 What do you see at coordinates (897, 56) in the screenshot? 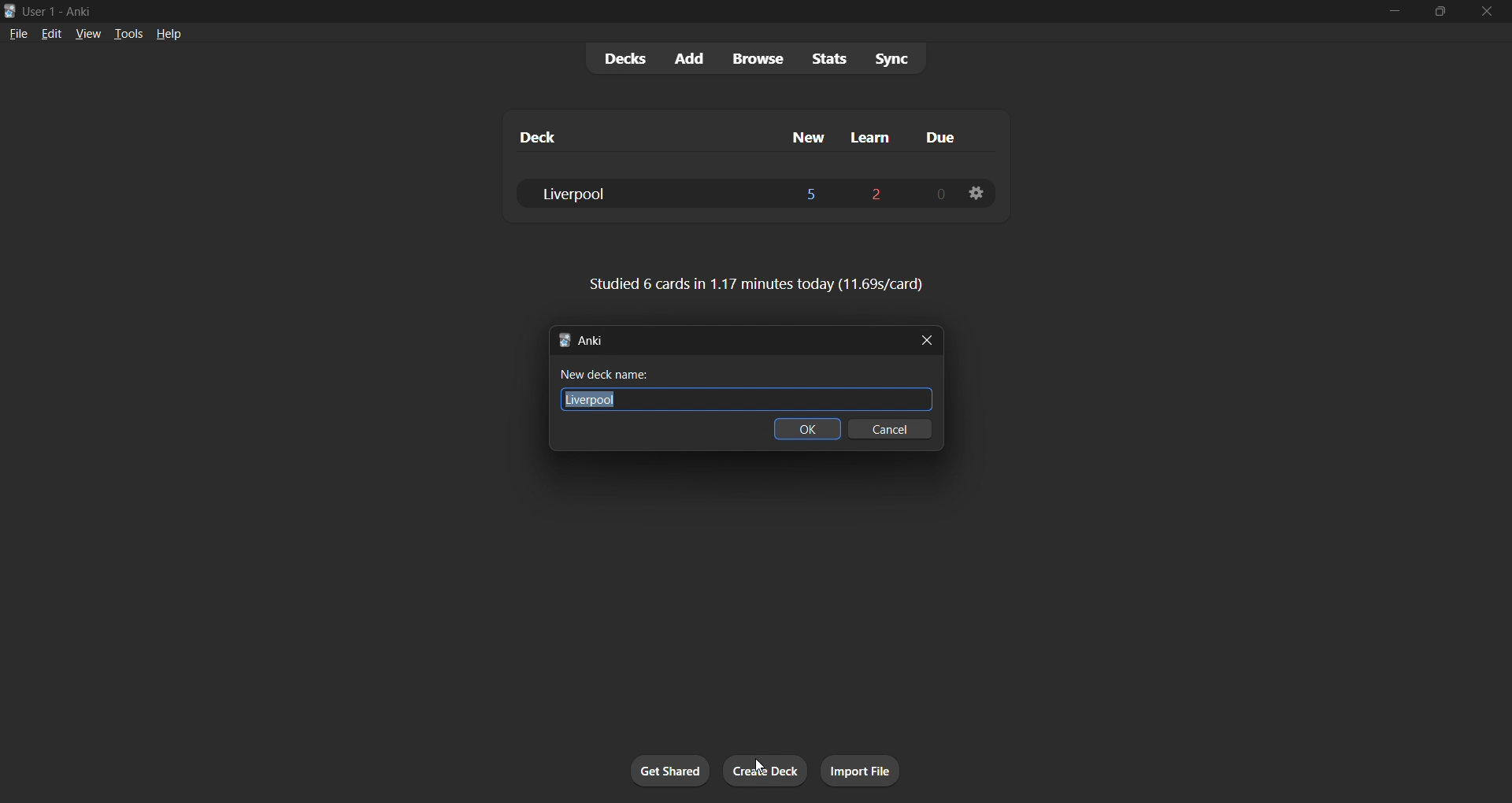
I see `sync` at bounding box center [897, 56].